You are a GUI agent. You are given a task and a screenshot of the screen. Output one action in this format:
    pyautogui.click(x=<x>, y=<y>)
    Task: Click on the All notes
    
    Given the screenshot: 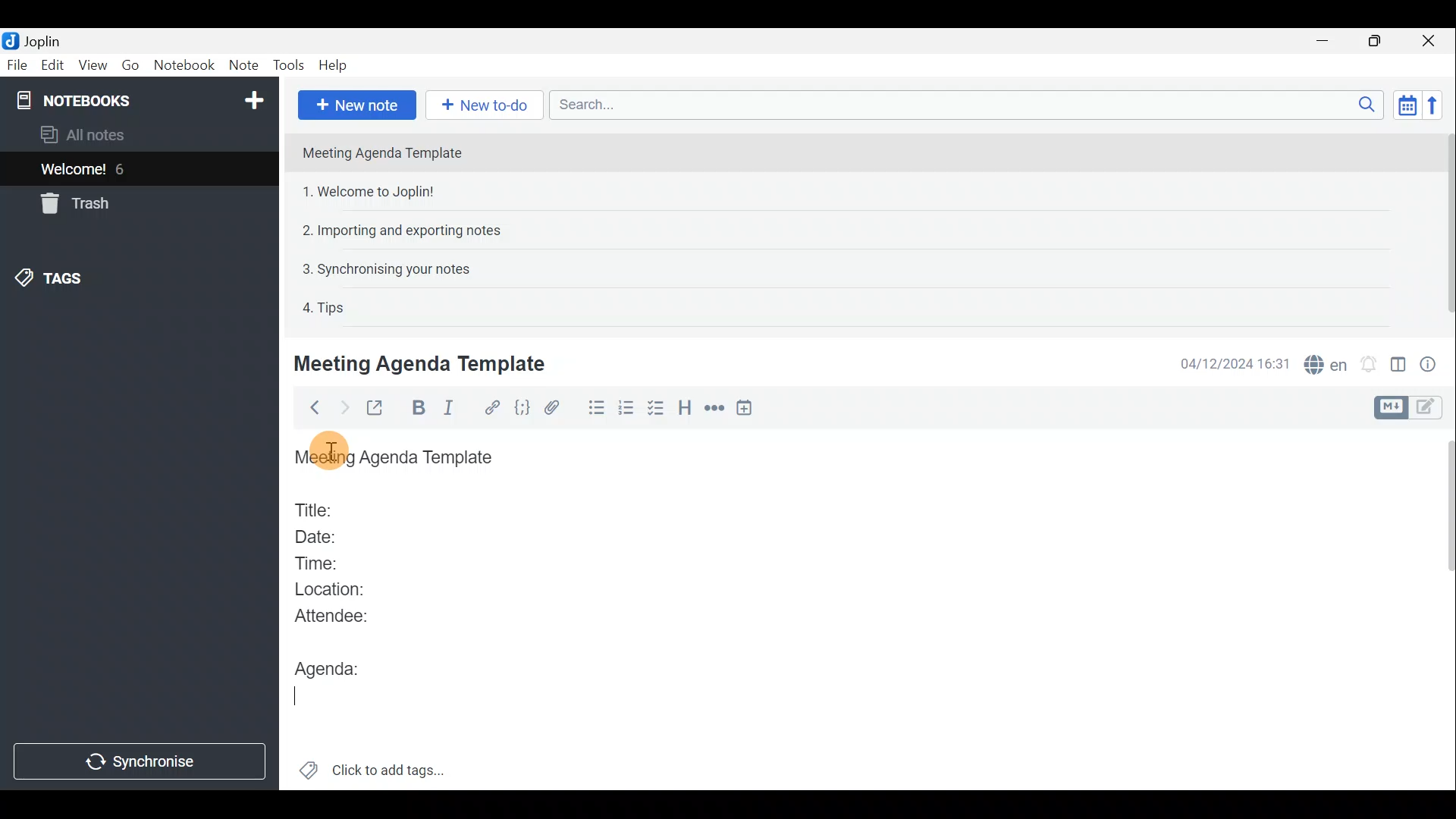 What is the action you would take?
    pyautogui.click(x=108, y=134)
    